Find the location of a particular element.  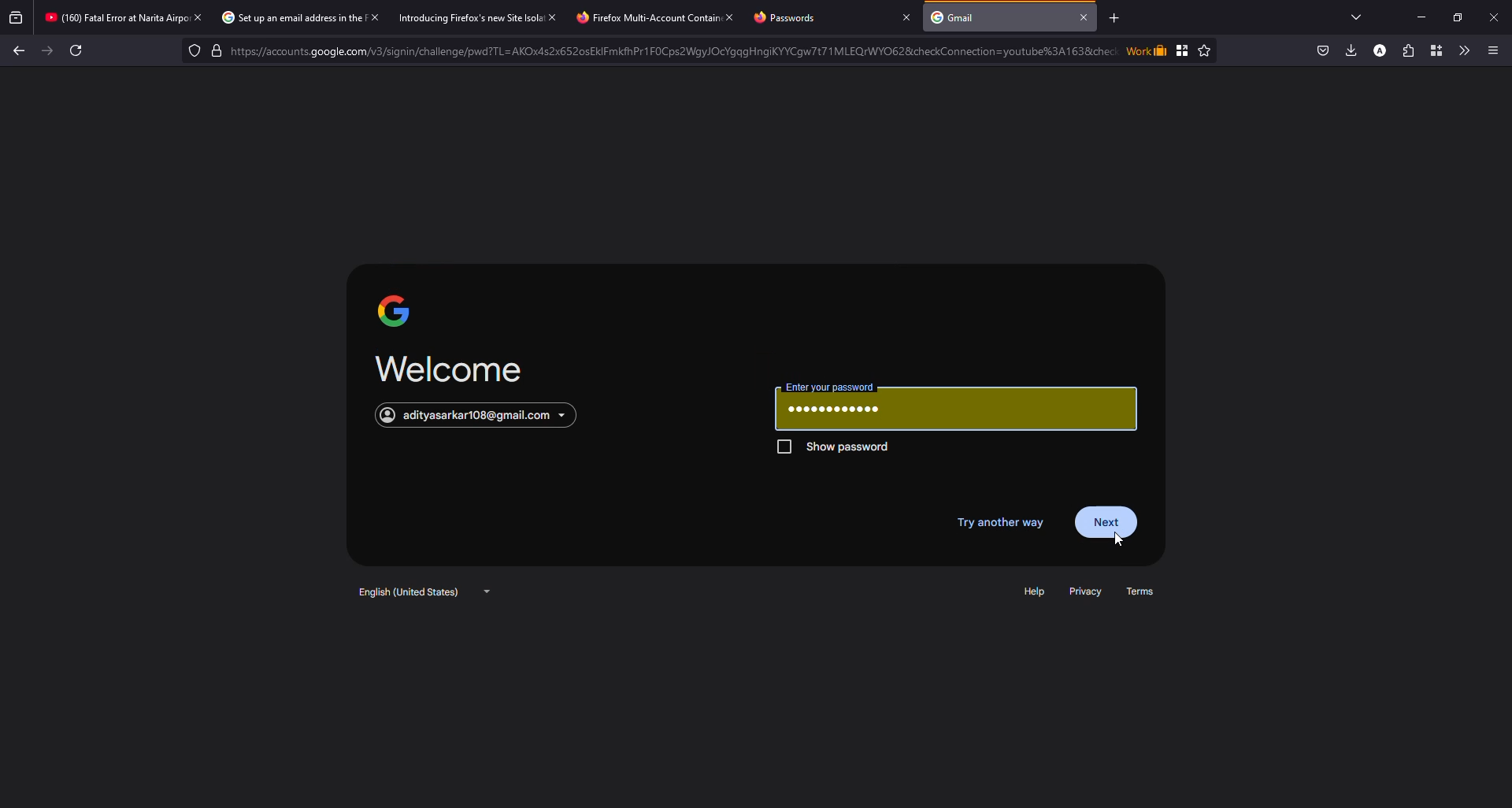

welcome is located at coordinates (447, 369).